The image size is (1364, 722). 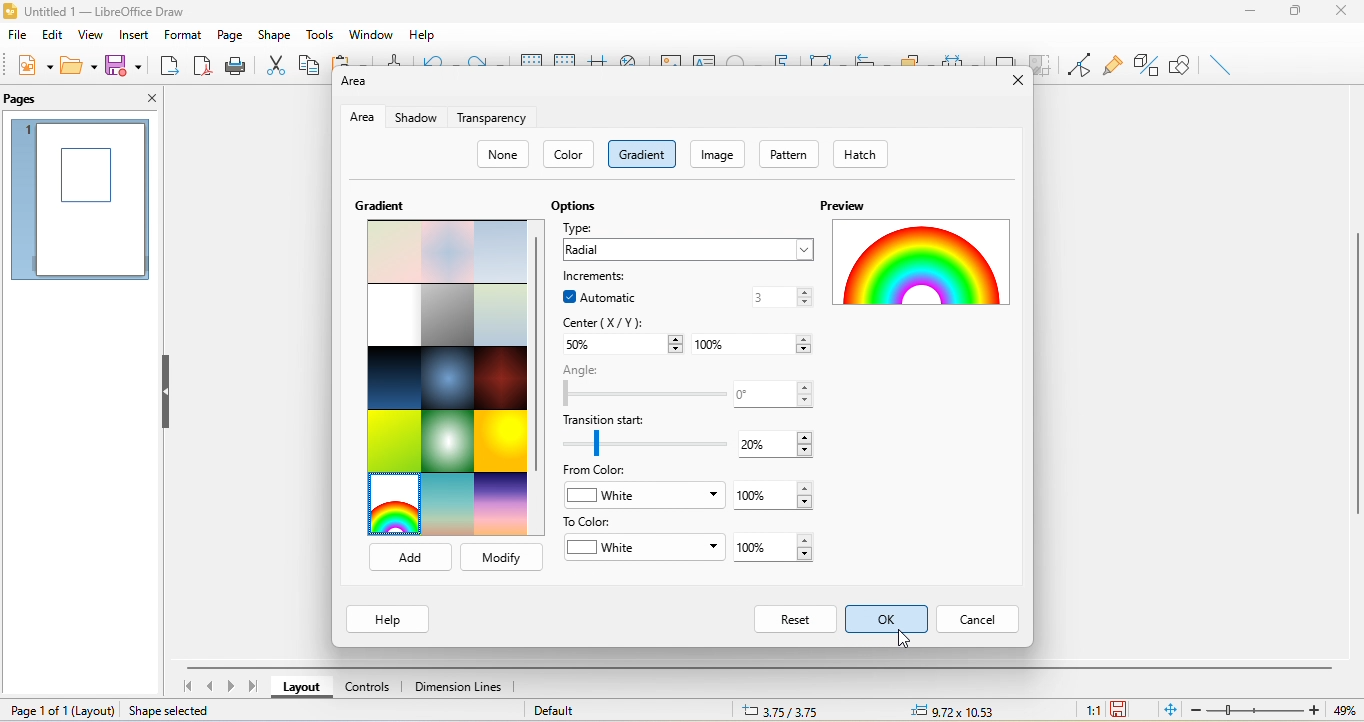 I want to click on zoom, so click(x=1278, y=710).